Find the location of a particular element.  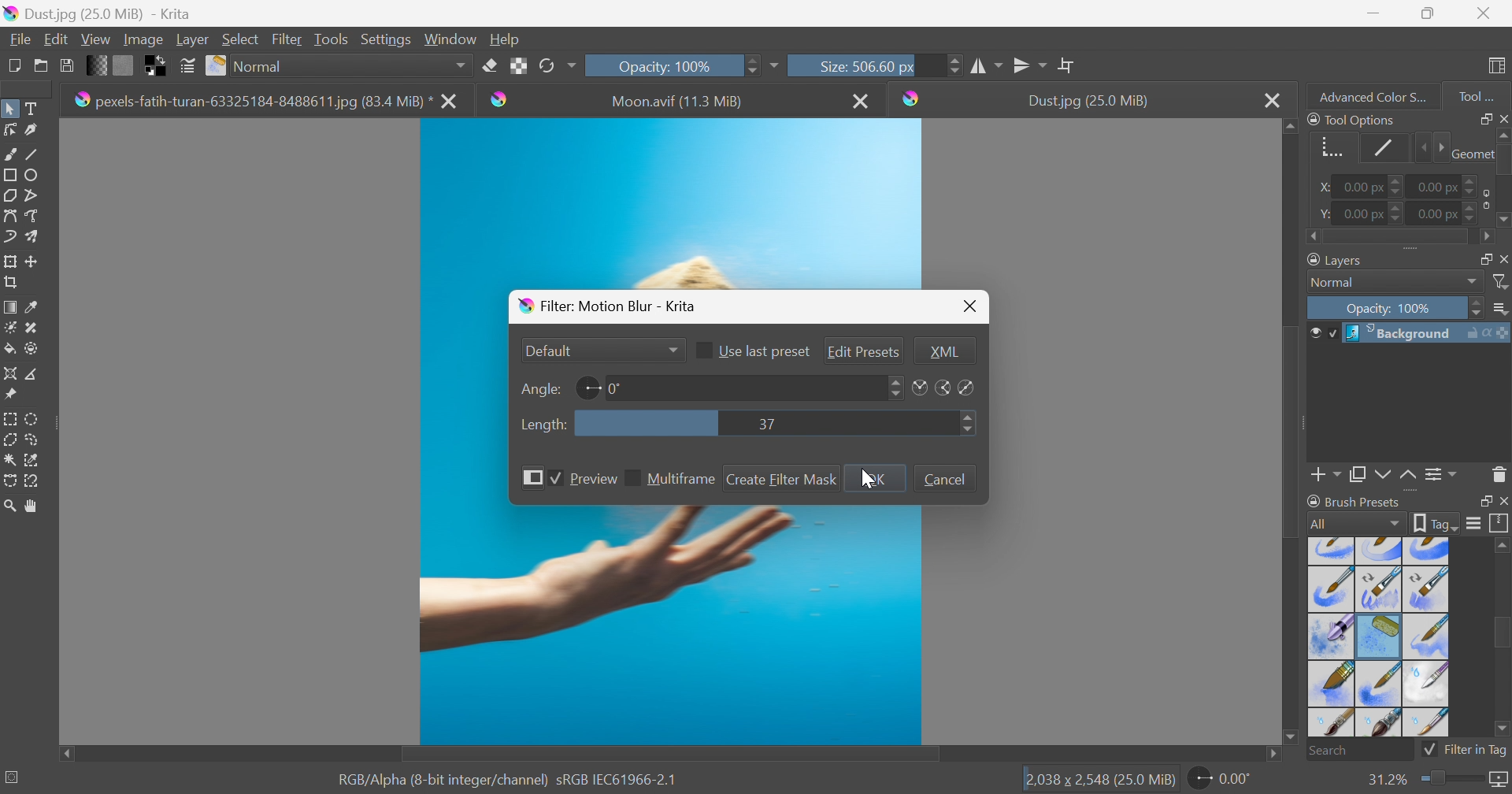

31.2% is located at coordinates (1385, 779).